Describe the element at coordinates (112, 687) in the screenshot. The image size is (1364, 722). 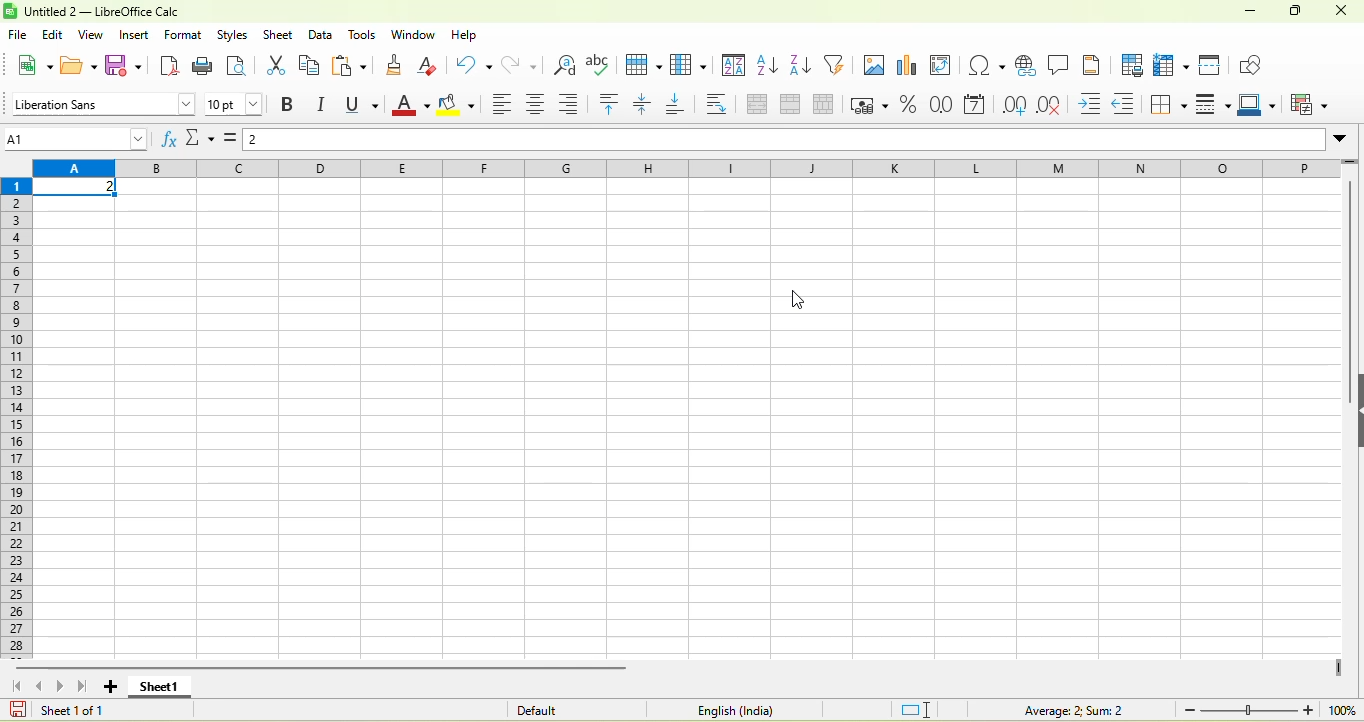
I see `add new sheet` at that location.